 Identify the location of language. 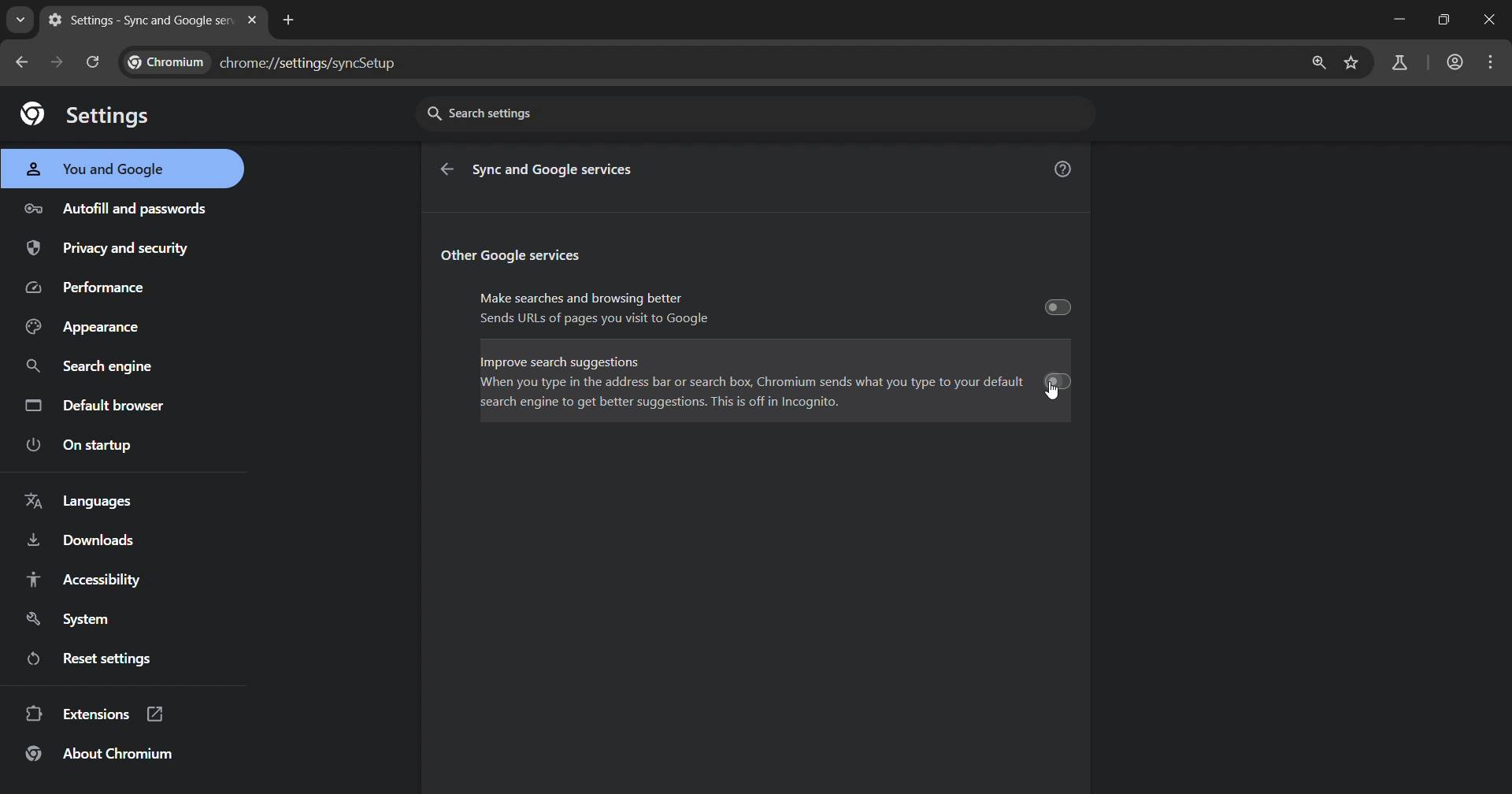
(77, 501).